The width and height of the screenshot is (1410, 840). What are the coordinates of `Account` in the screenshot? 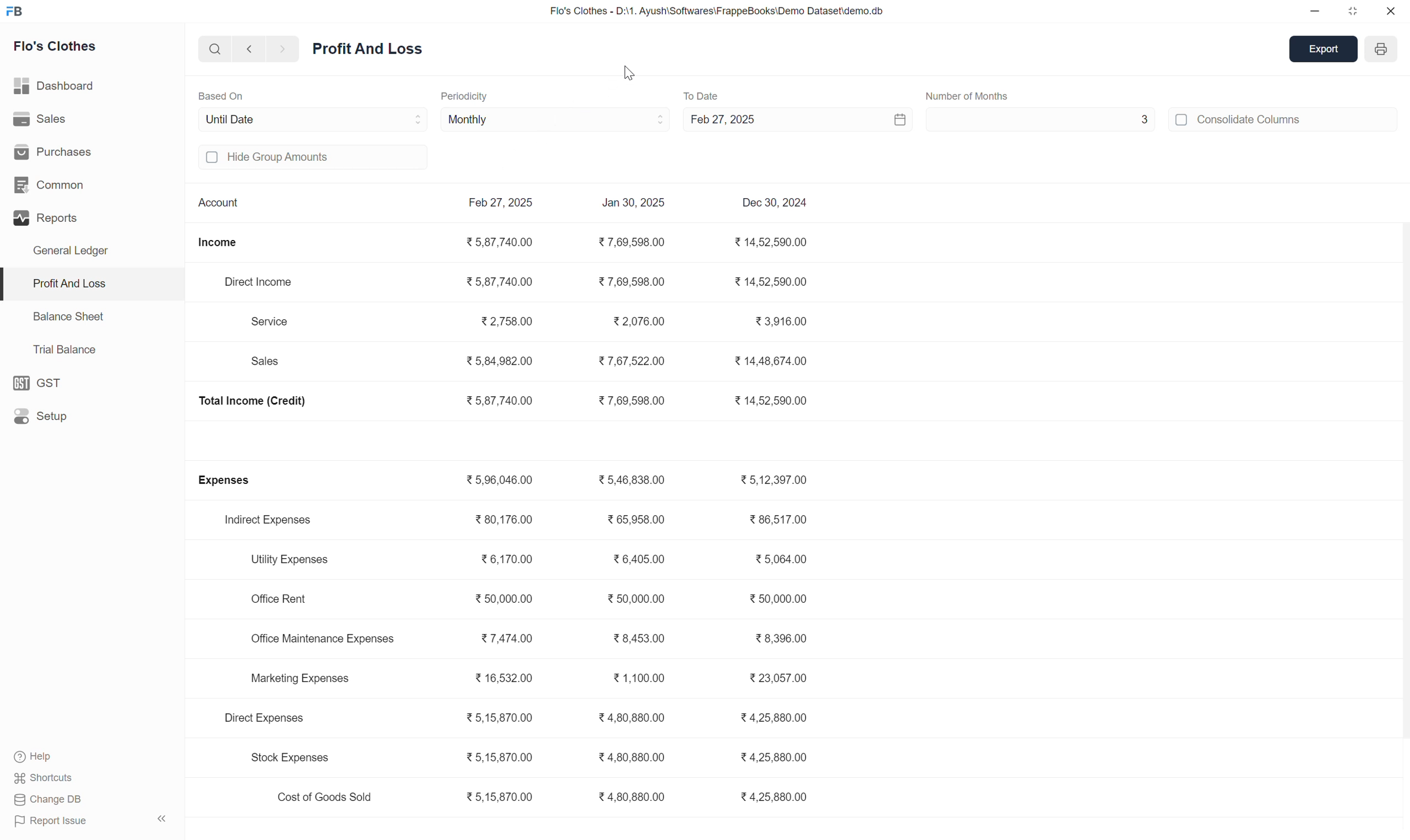 It's located at (227, 208).